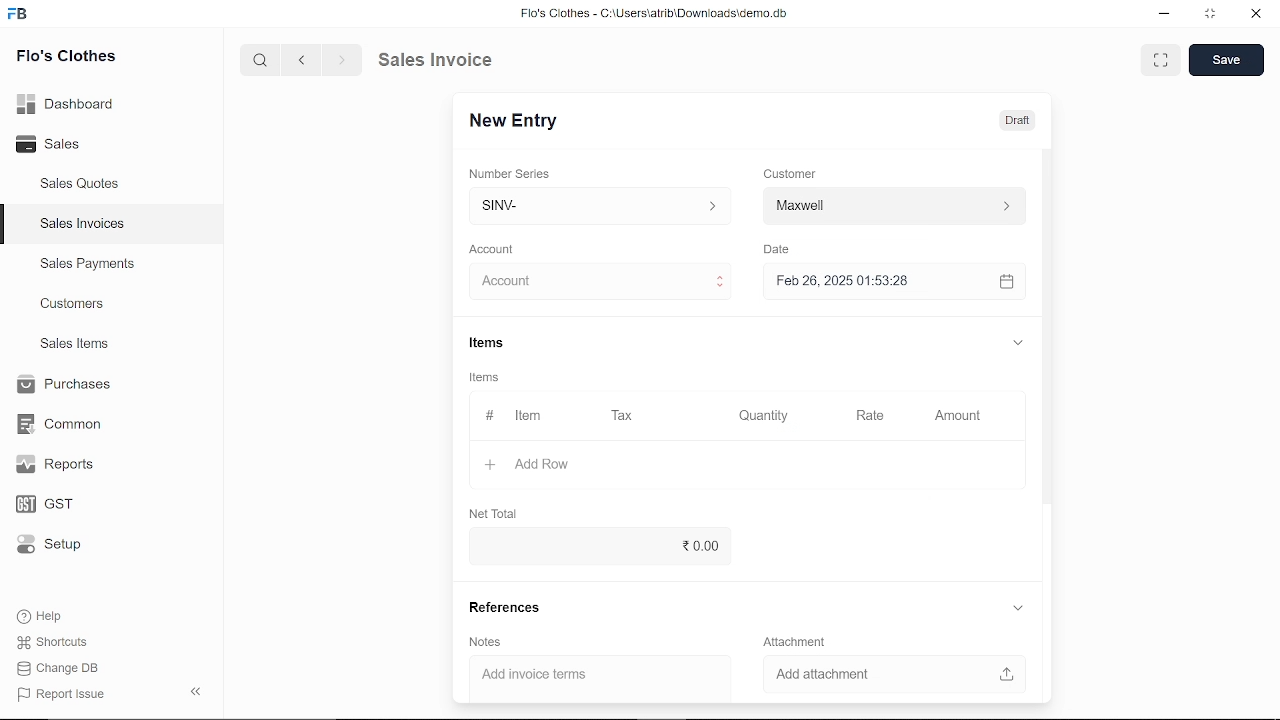 The width and height of the screenshot is (1280, 720). What do you see at coordinates (86, 264) in the screenshot?
I see `Sales Payments.` at bounding box center [86, 264].